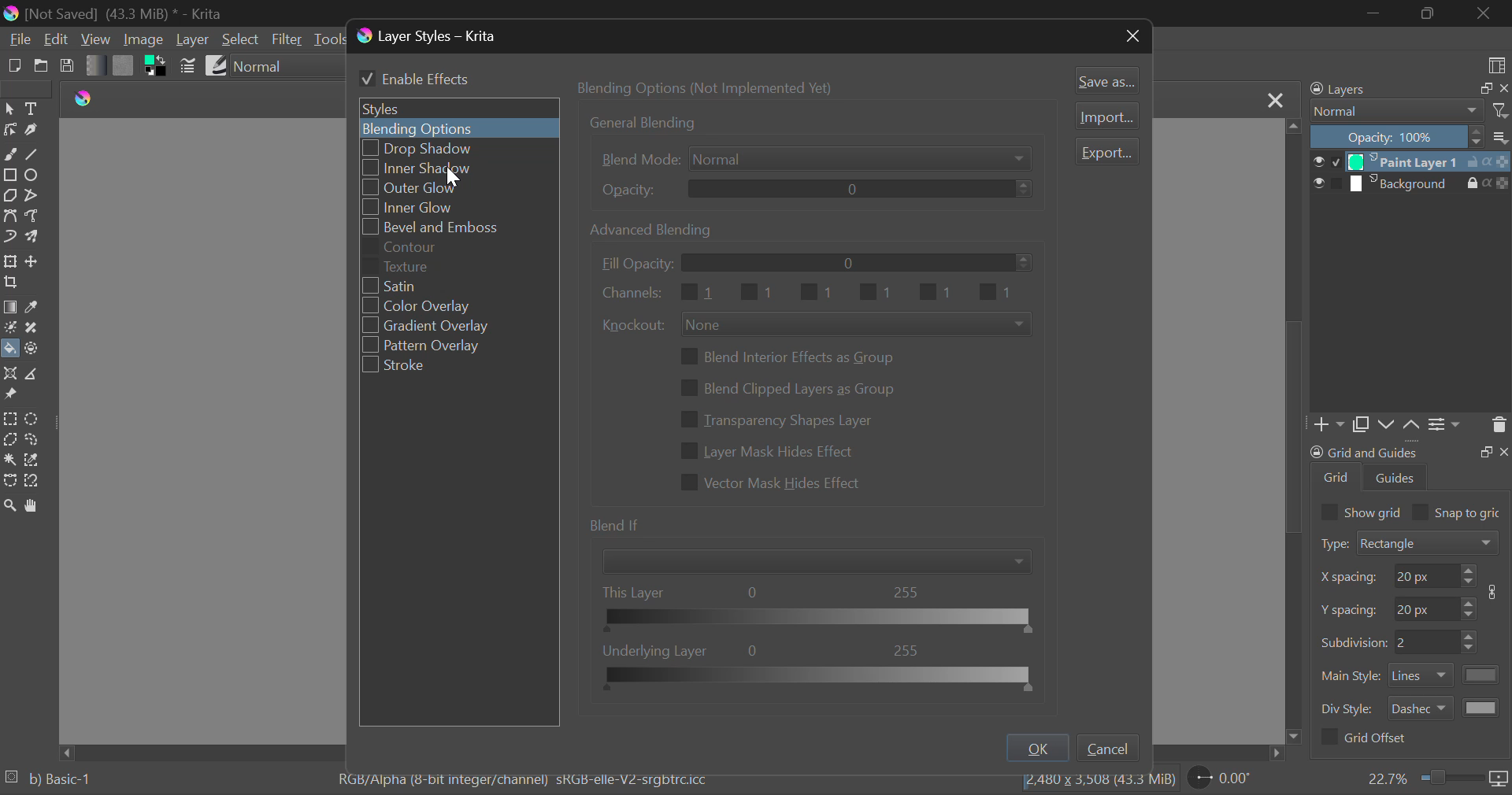 Image resolution: width=1512 pixels, height=795 pixels. What do you see at coordinates (1106, 116) in the screenshot?
I see `Import` at bounding box center [1106, 116].